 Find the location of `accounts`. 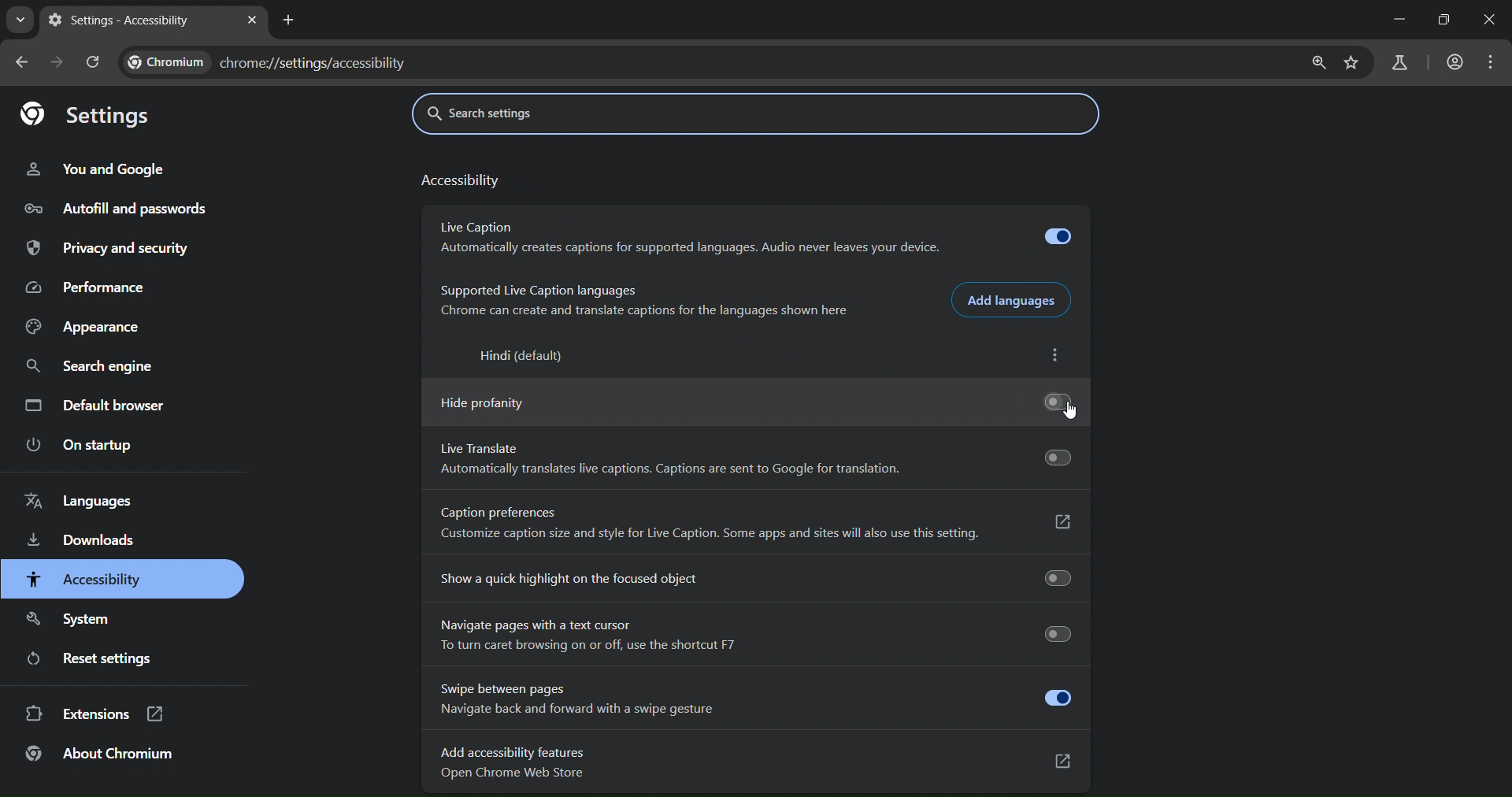

accounts is located at coordinates (1455, 62).